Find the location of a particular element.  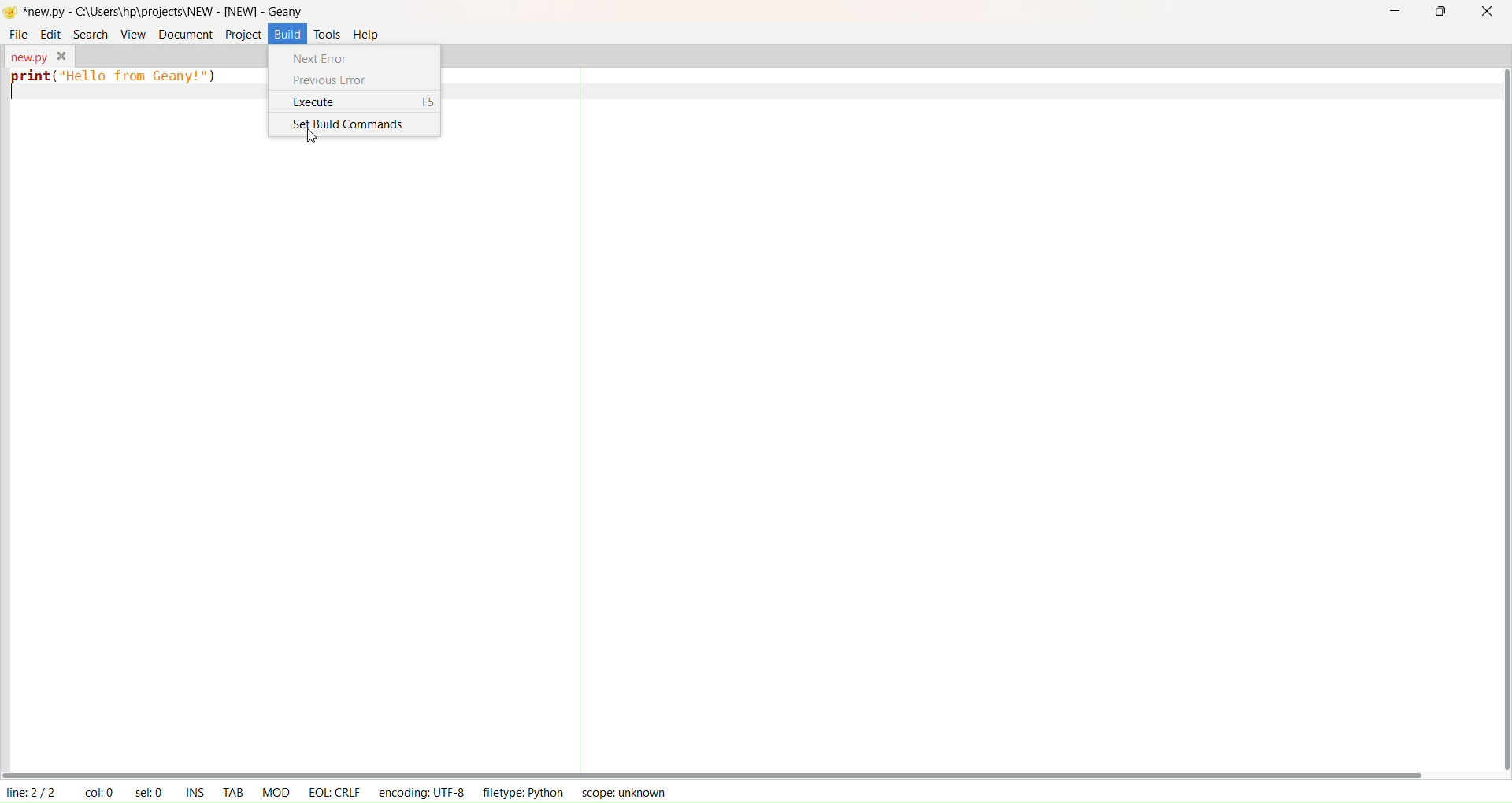

maximize is located at coordinates (1439, 14).